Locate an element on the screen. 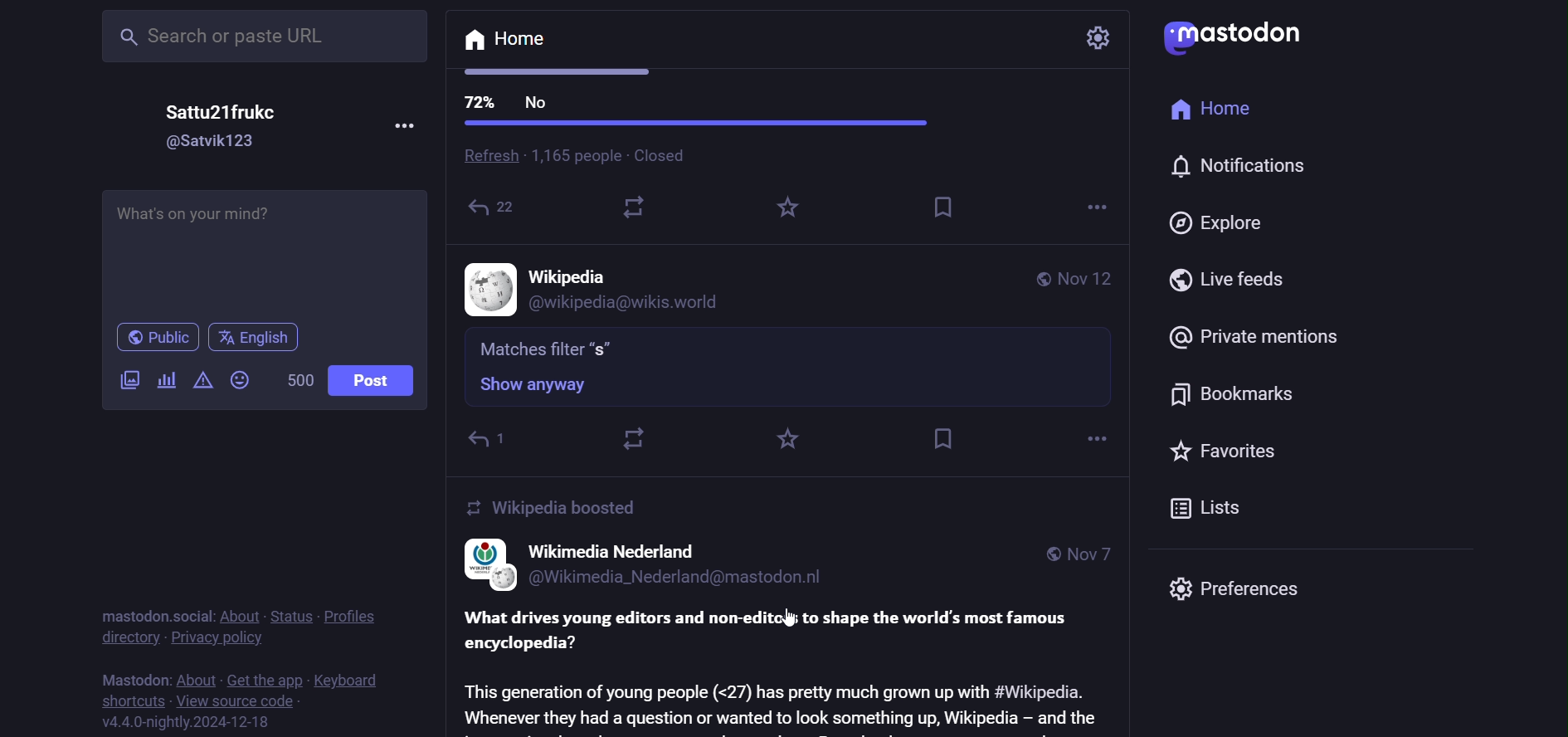  refresh is located at coordinates (487, 158).